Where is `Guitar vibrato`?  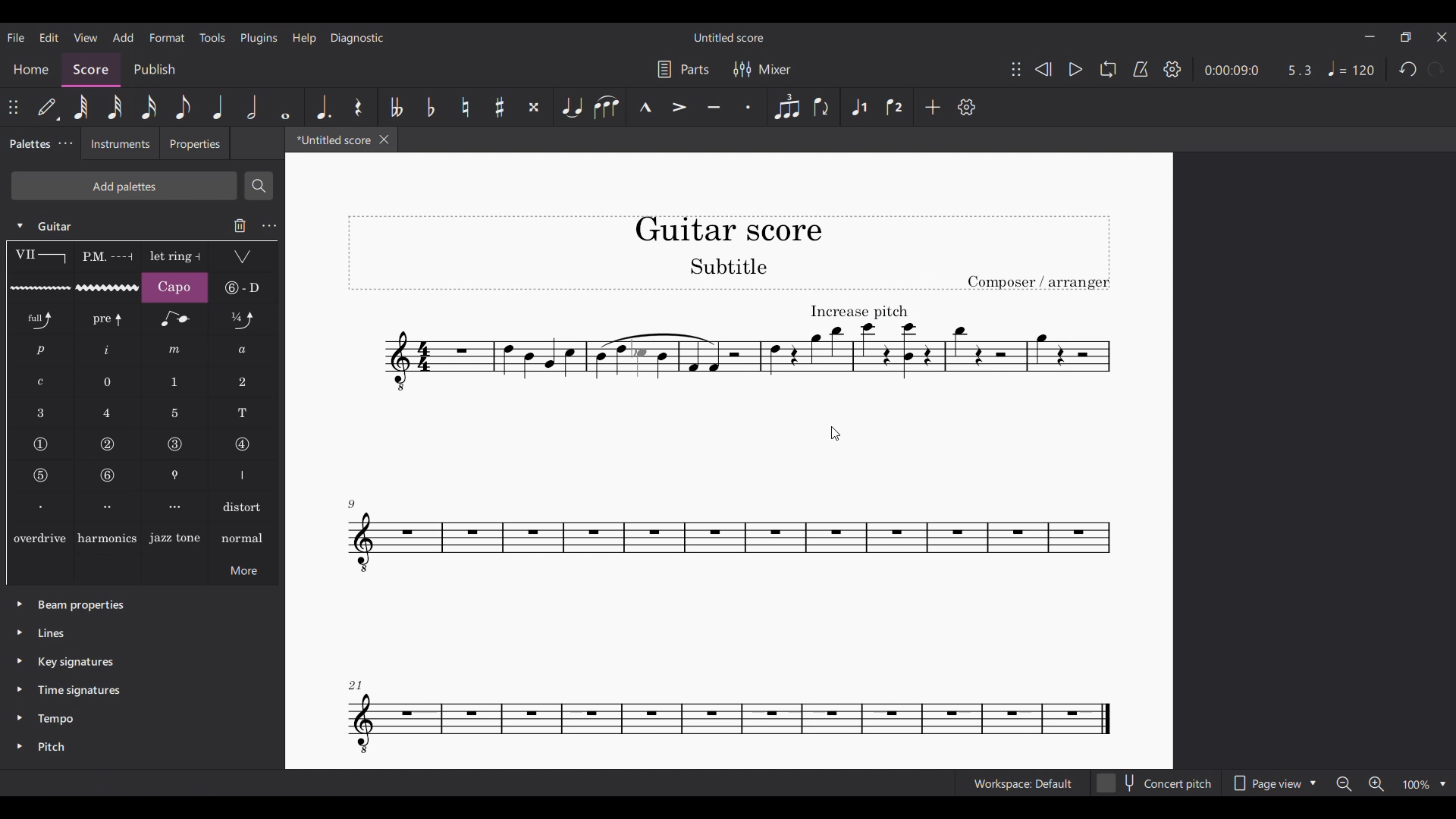
Guitar vibrato is located at coordinates (40, 288).